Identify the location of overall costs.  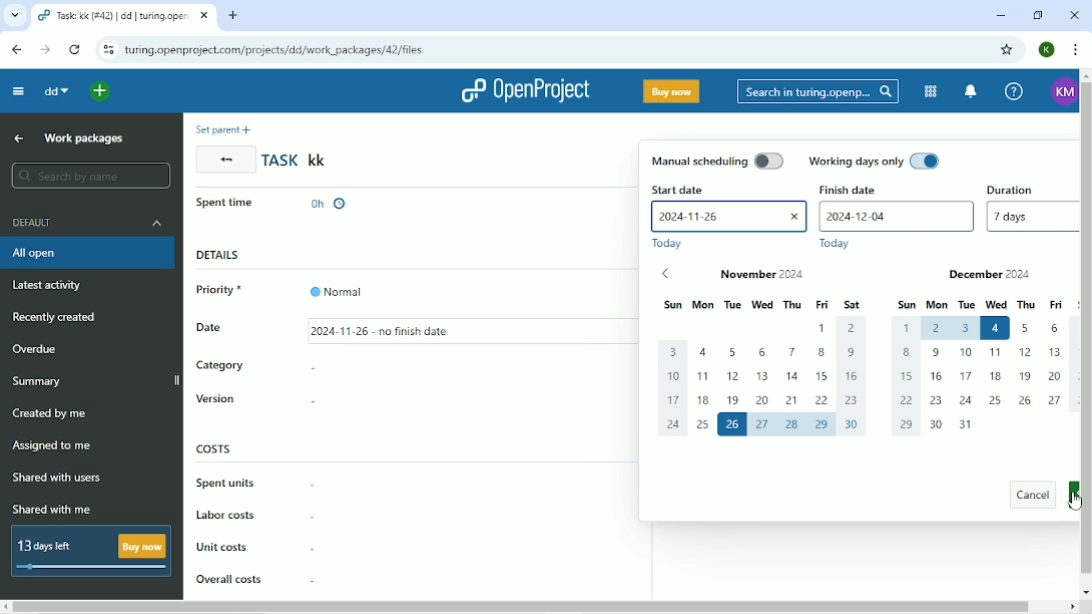
(255, 575).